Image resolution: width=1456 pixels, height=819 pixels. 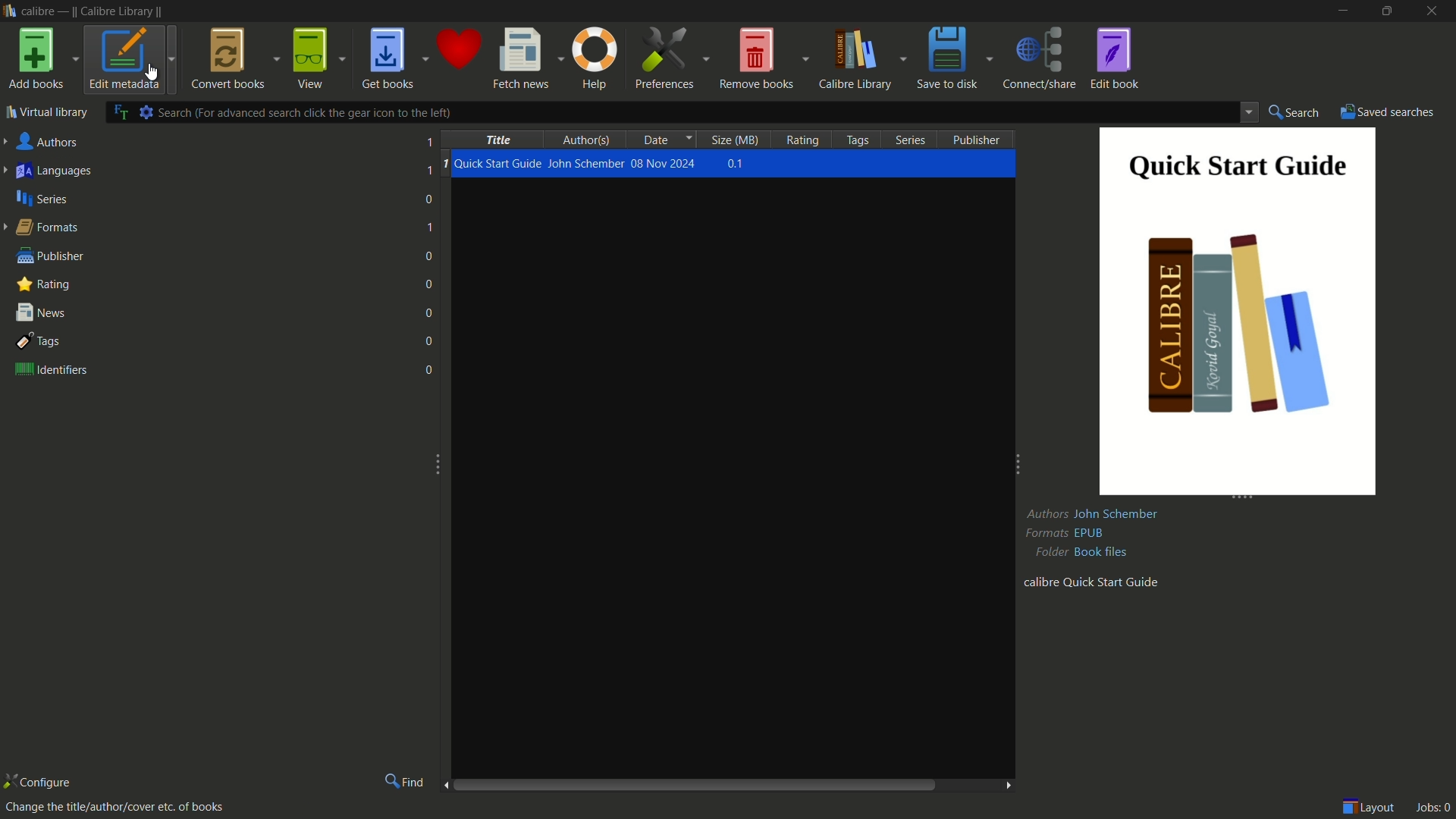 I want to click on advance search, so click(x=130, y=112).